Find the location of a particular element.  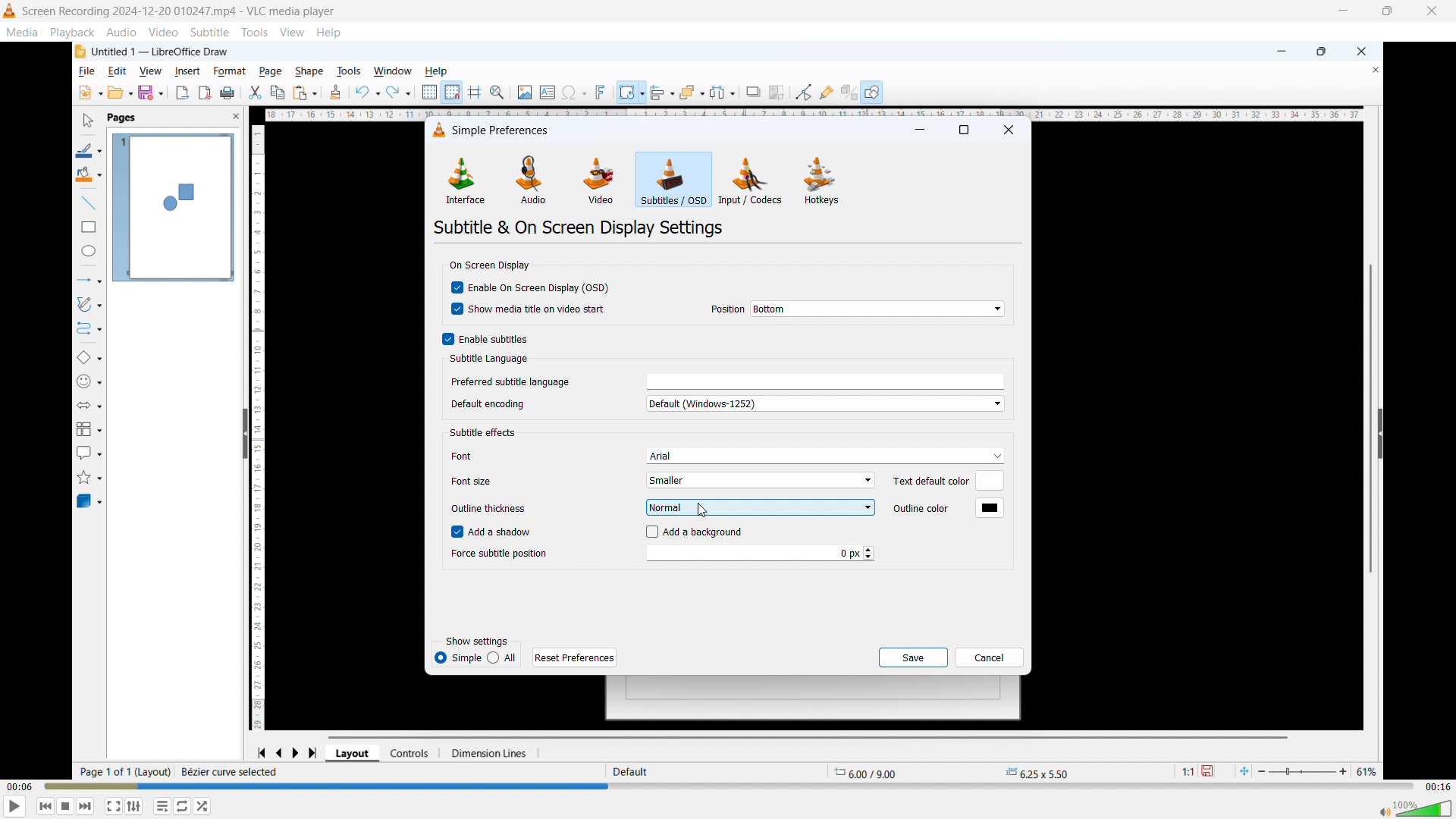

play  is located at coordinates (16, 805).